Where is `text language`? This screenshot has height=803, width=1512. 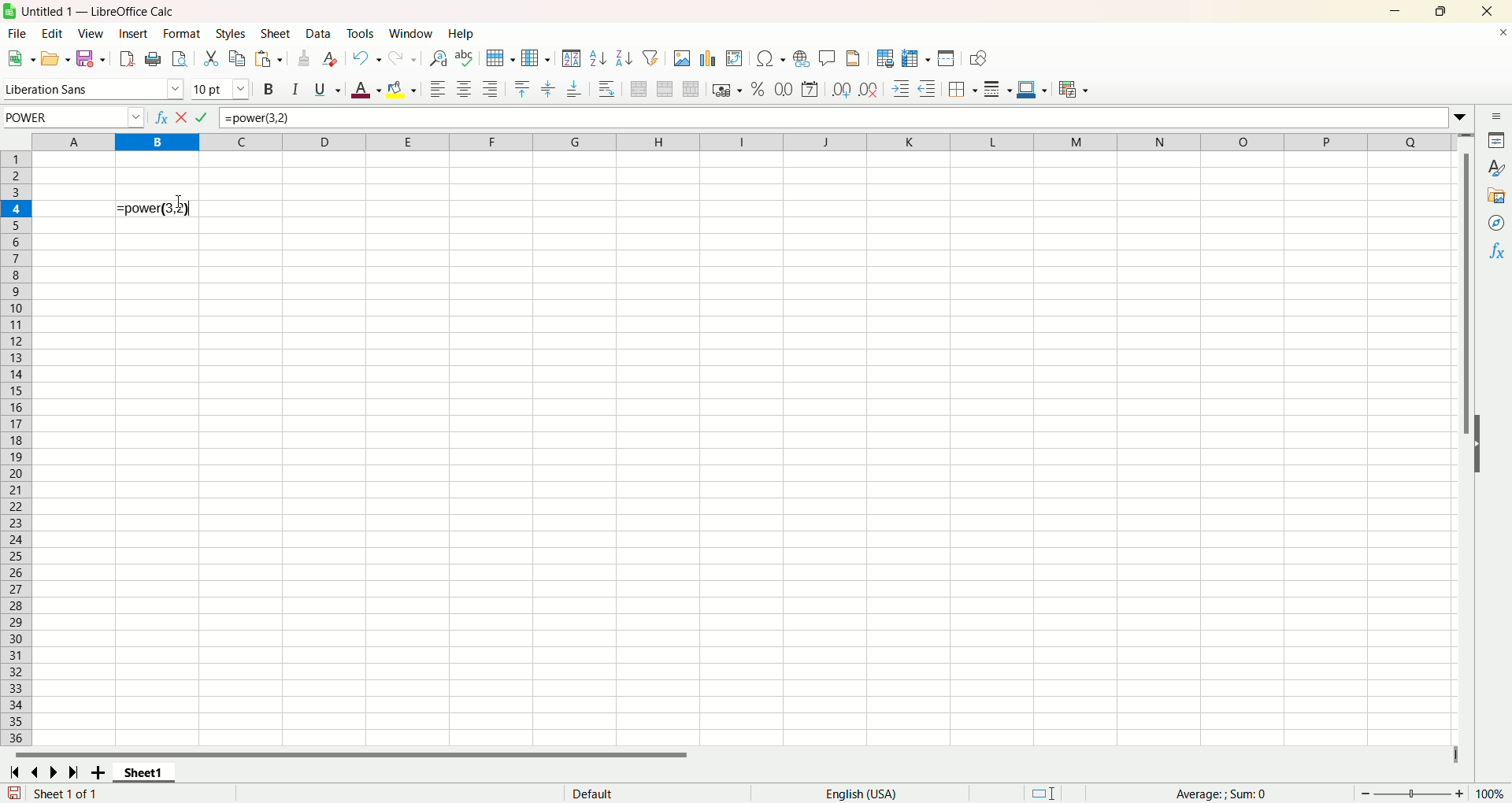 text language is located at coordinates (860, 794).